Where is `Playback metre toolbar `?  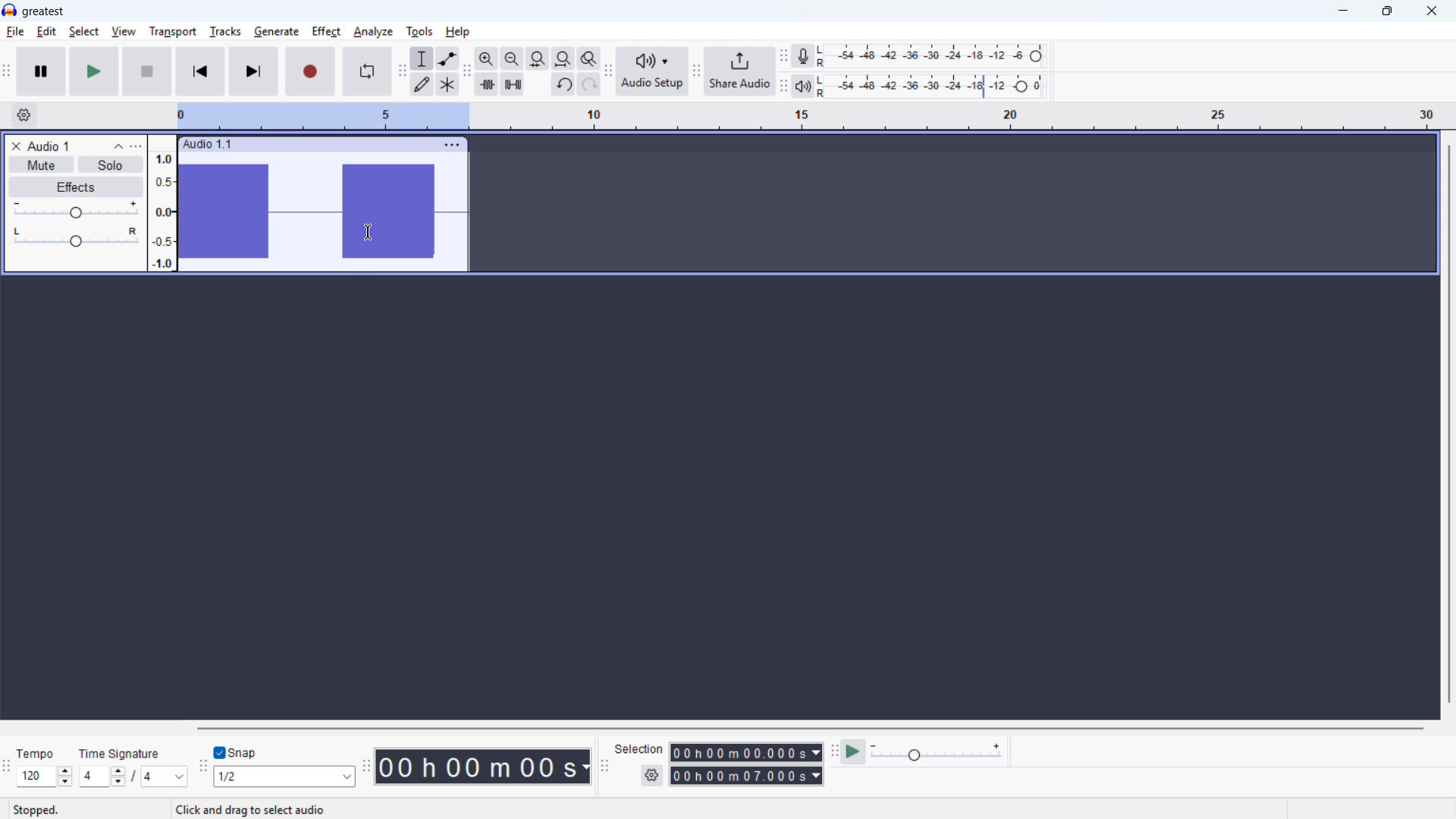 Playback metre toolbar  is located at coordinates (783, 87).